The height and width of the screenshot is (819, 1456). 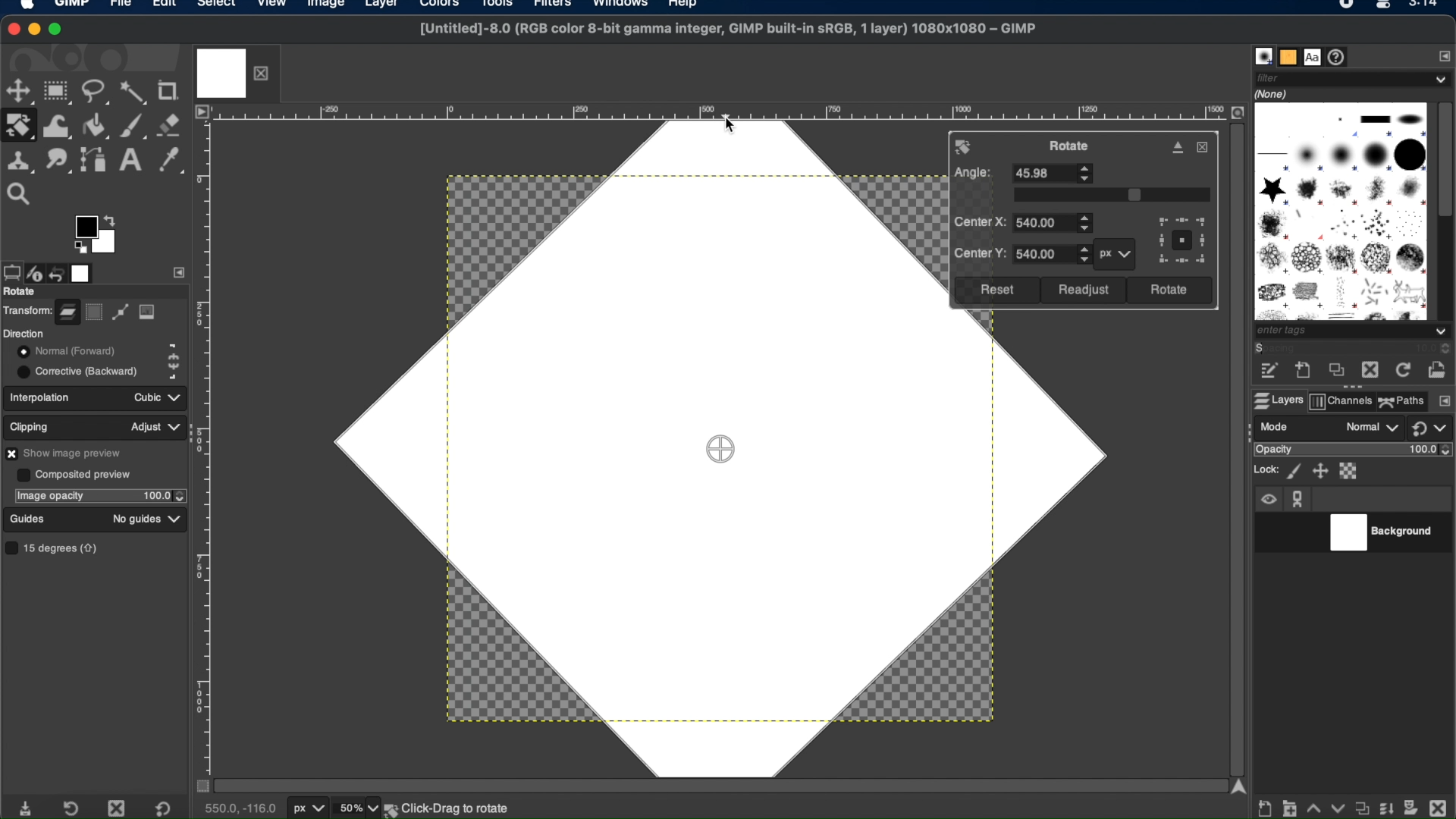 I want to click on file, so click(x=121, y=6).